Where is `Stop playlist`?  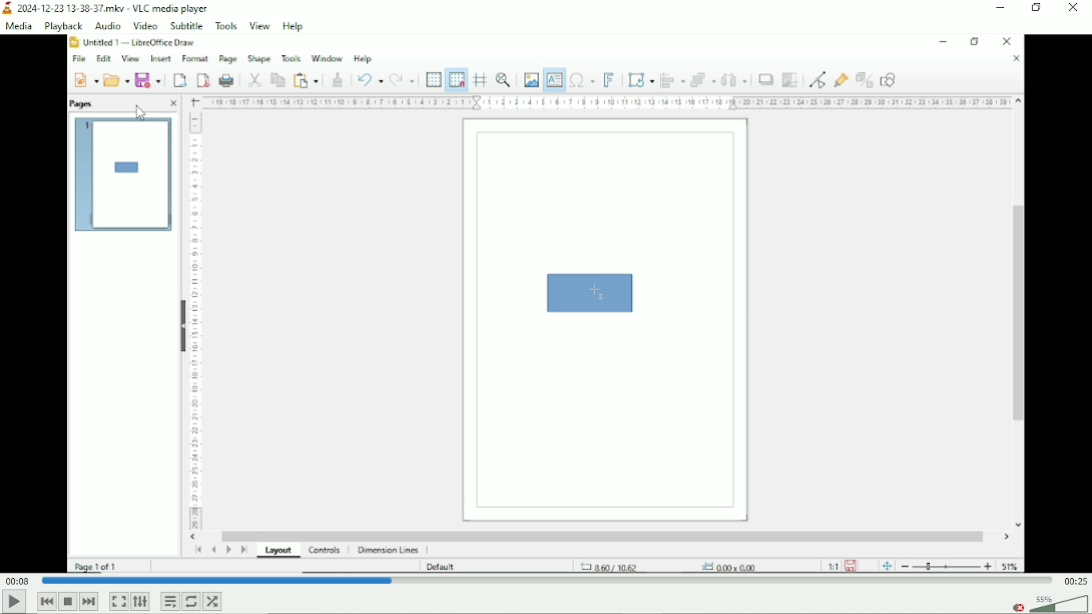
Stop playlist is located at coordinates (68, 601).